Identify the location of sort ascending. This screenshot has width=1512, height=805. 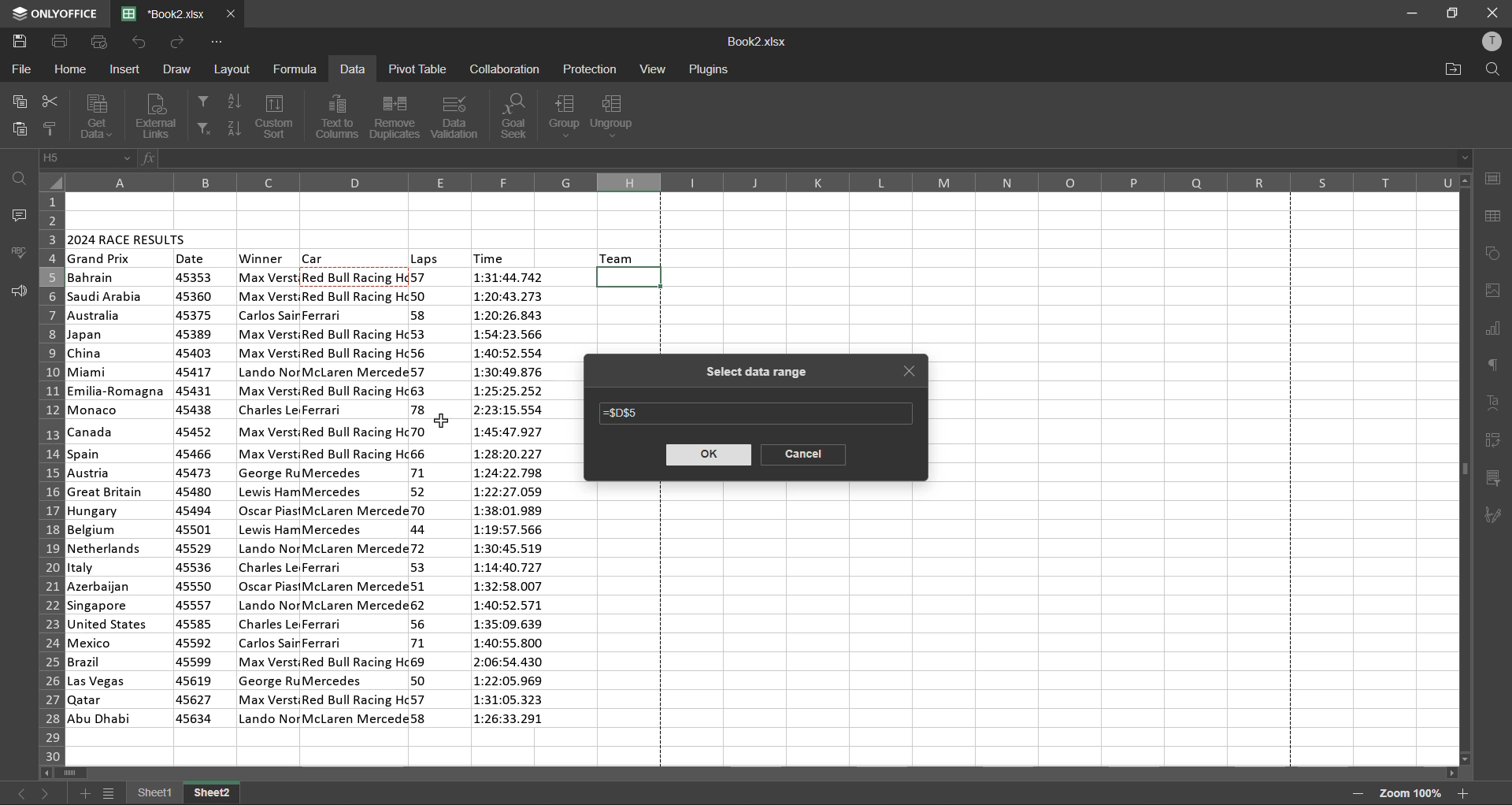
(232, 104).